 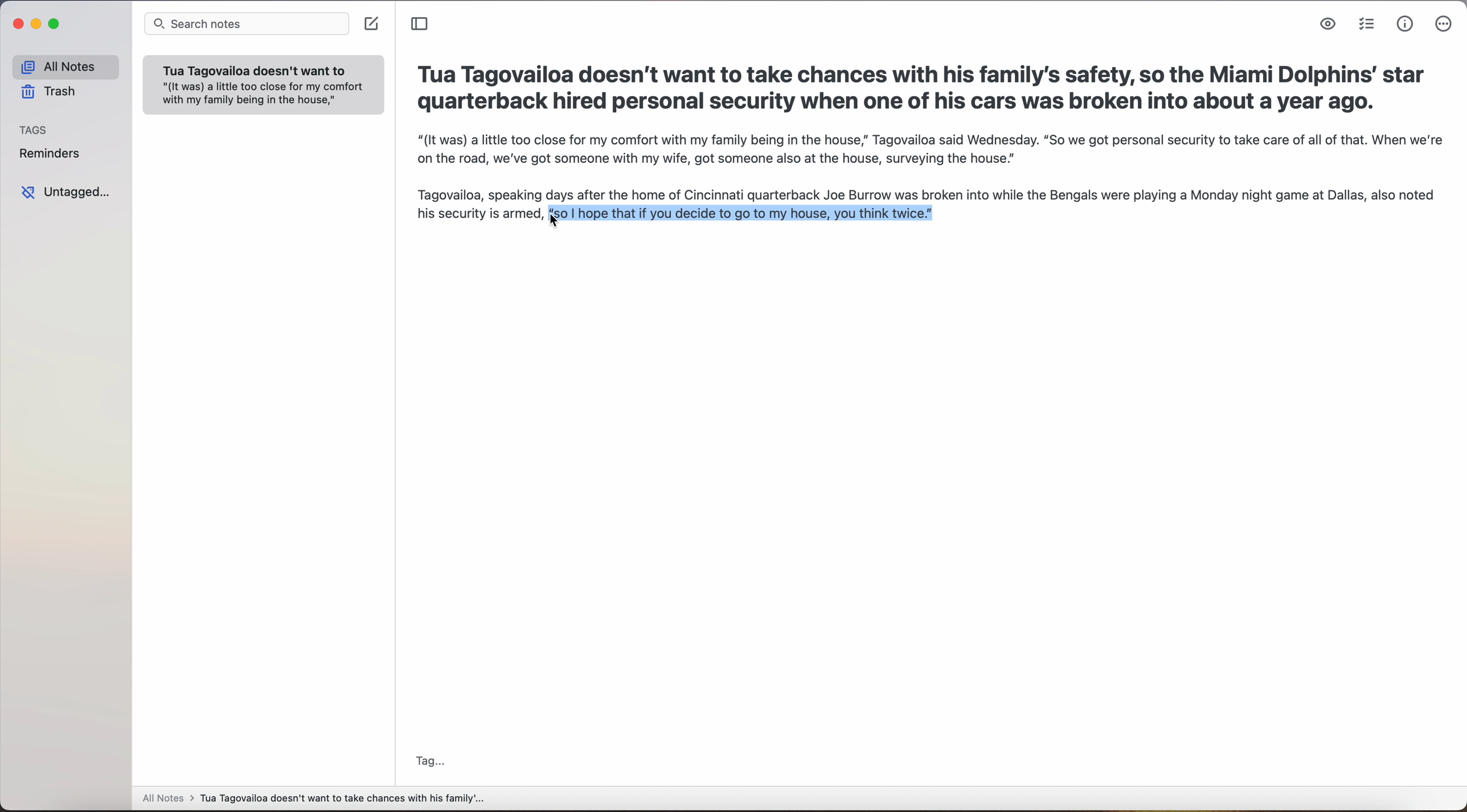 I want to click on trash, so click(x=53, y=93).